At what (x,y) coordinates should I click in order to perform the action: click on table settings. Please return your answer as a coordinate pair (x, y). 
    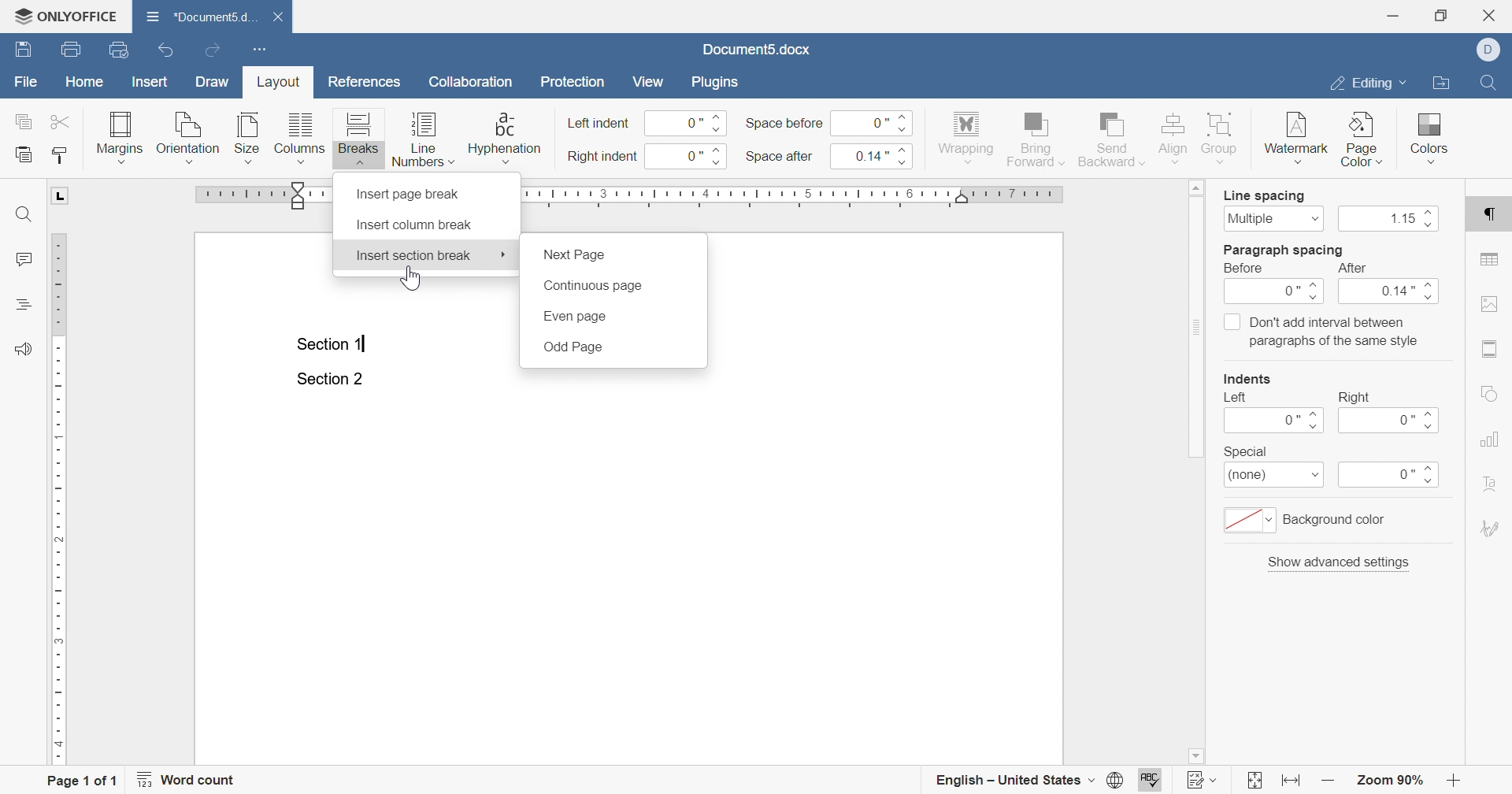
    Looking at the image, I should click on (1491, 259).